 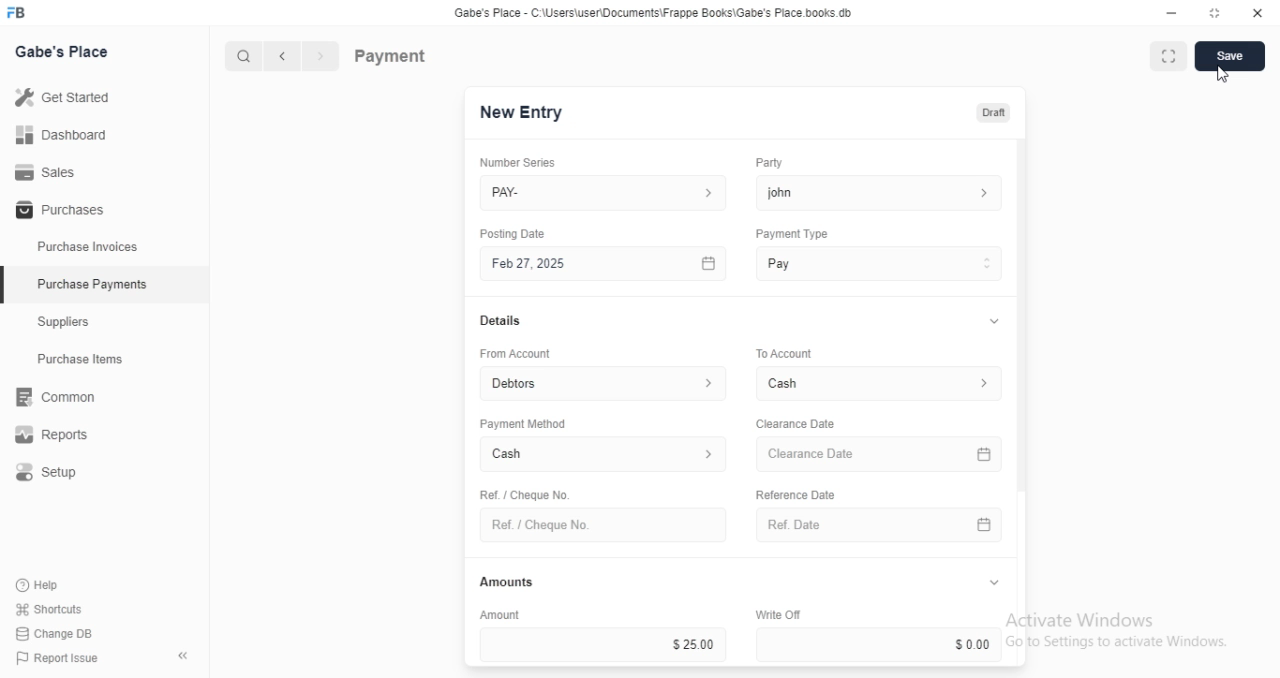 I want to click on expand/collapse, so click(x=990, y=322).